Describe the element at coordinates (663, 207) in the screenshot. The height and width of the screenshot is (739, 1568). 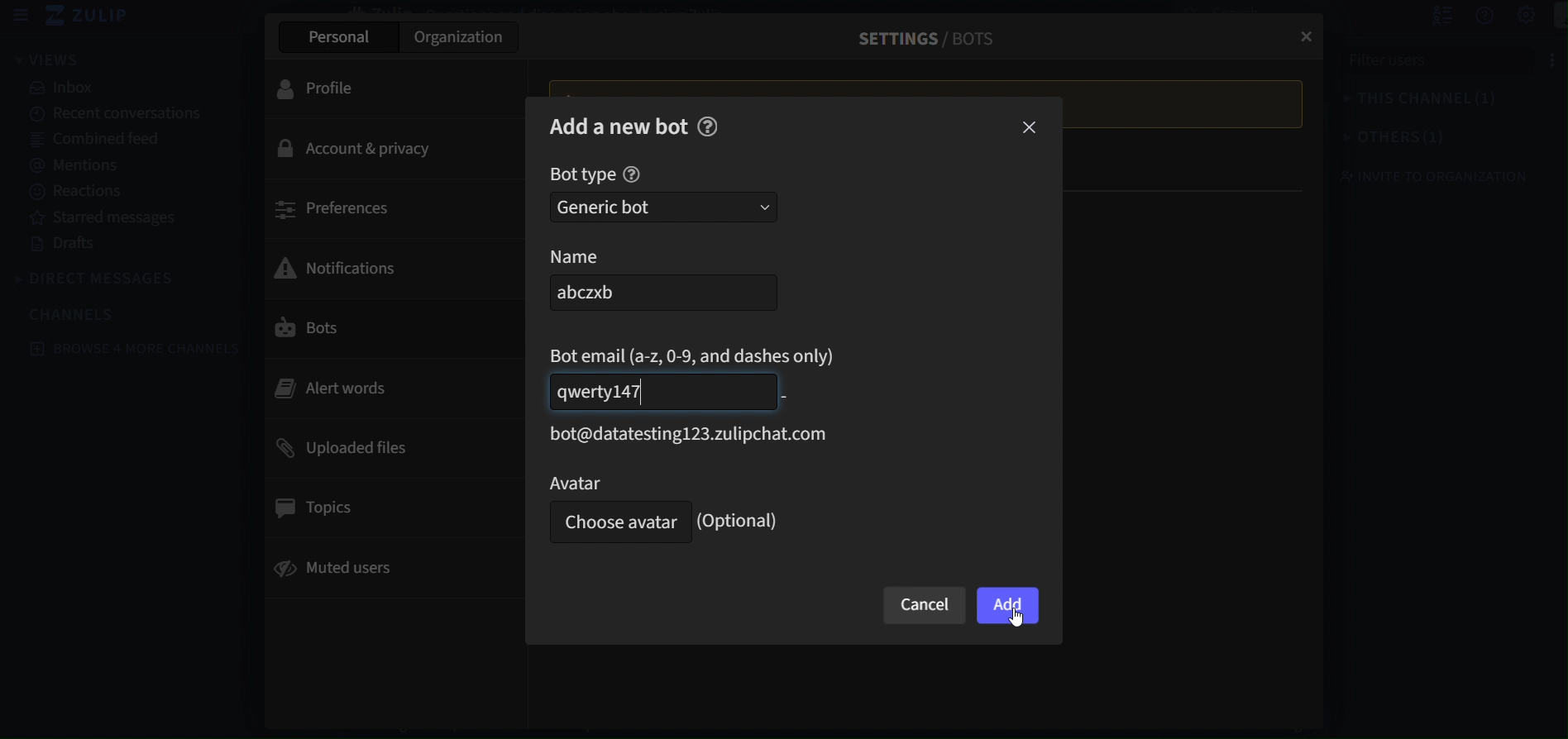
I see `generic bot` at that location.